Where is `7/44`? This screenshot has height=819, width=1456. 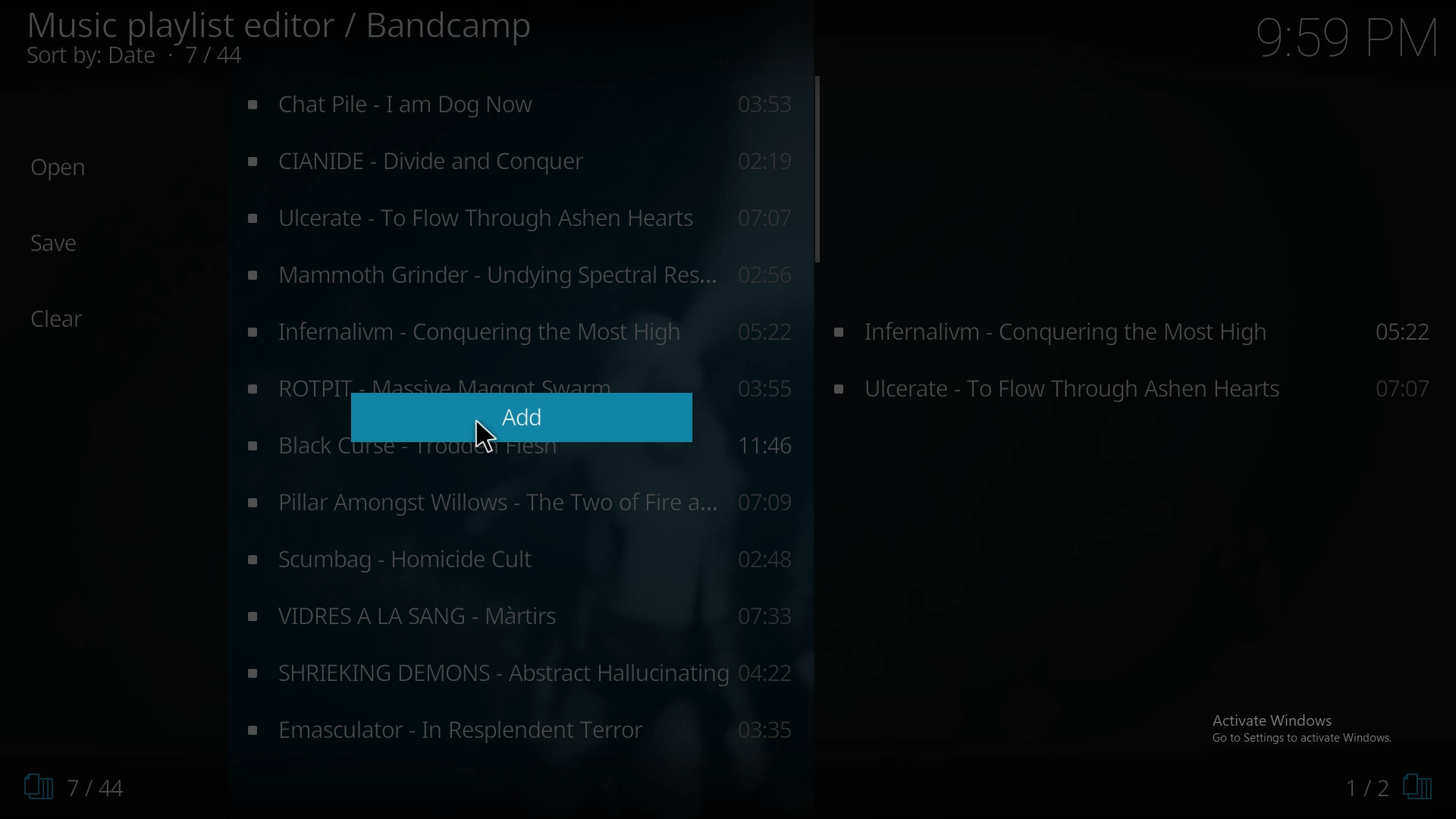
7/44 is located at coordinates (68, 787).